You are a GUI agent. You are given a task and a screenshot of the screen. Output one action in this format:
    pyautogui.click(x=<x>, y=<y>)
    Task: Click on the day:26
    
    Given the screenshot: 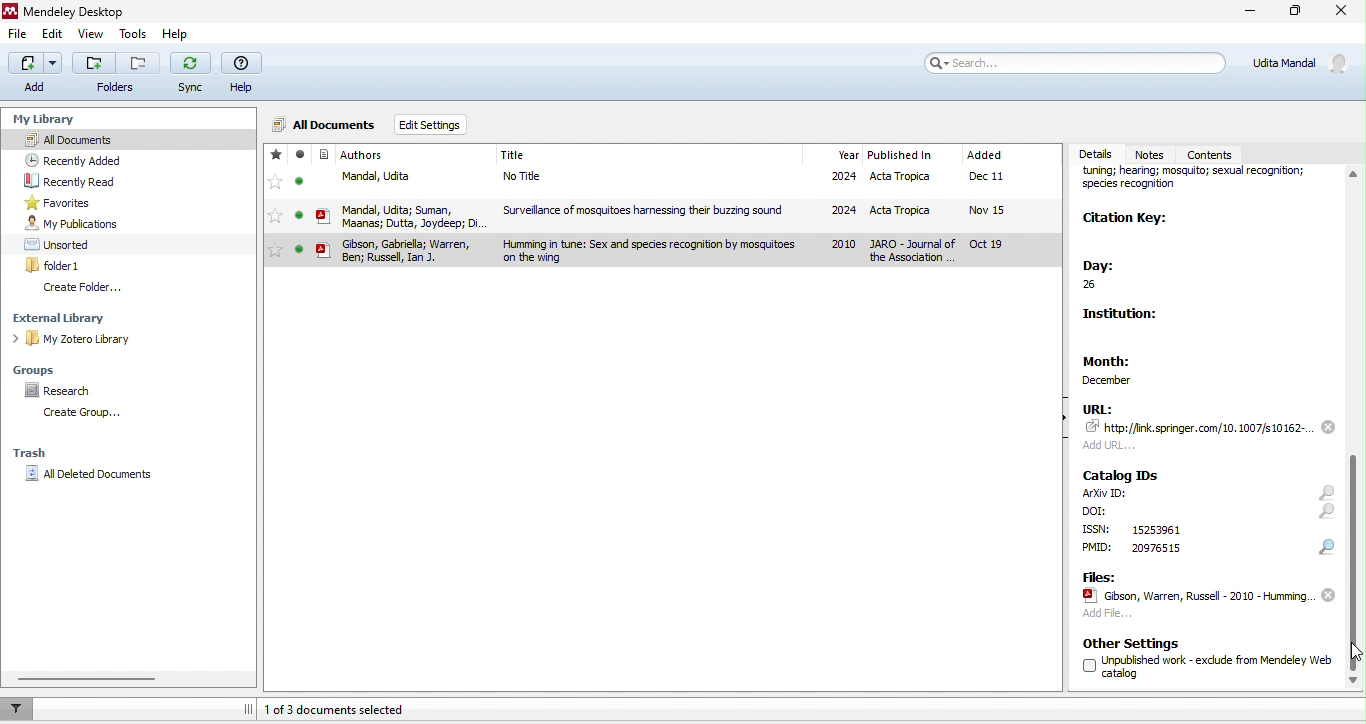 What is the action you would take?
    pyautogui.click(x=1110, y=276)
    